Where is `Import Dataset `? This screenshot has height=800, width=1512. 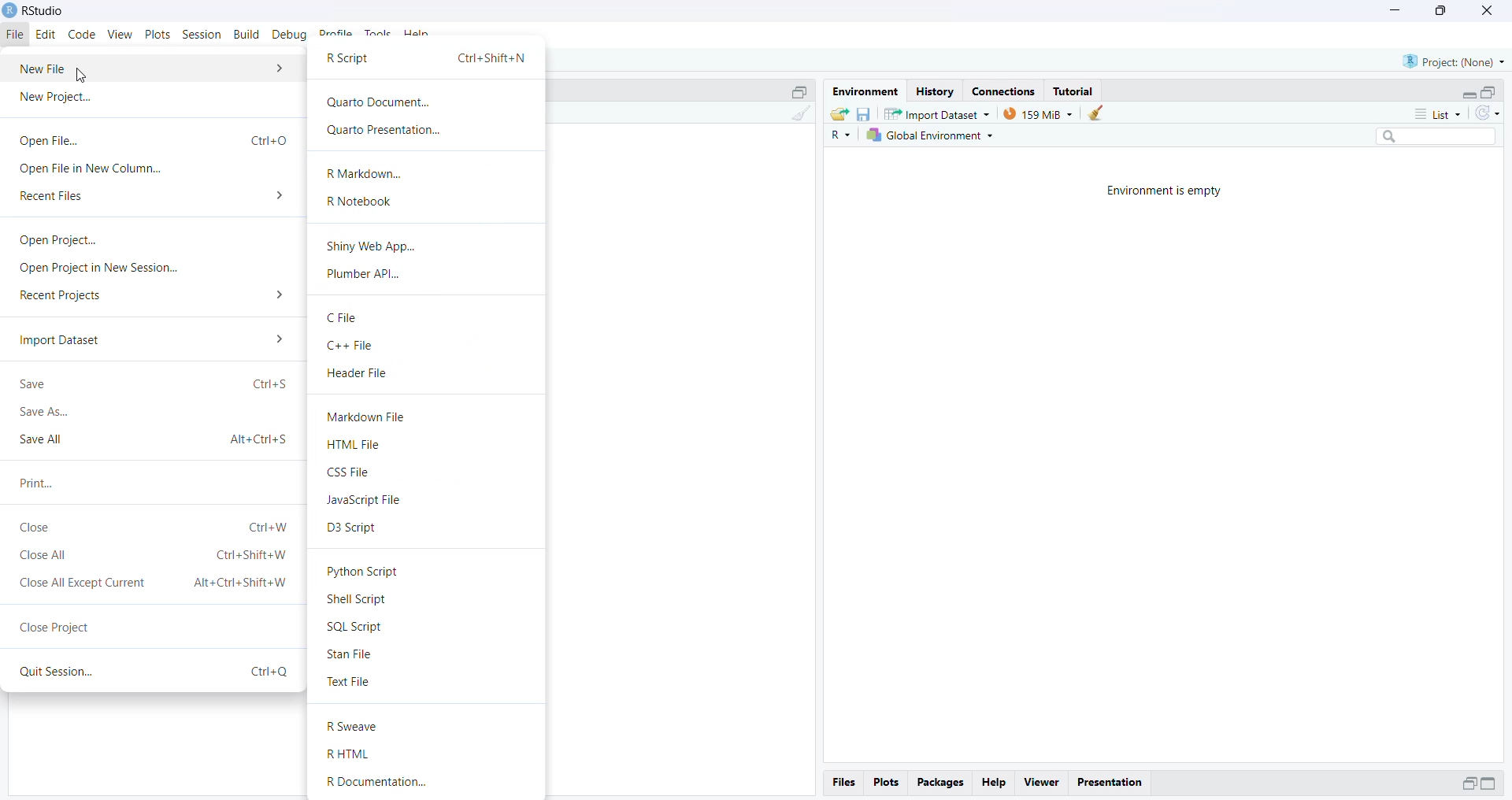 Import Dataset  is located at coordinates (150, 339).